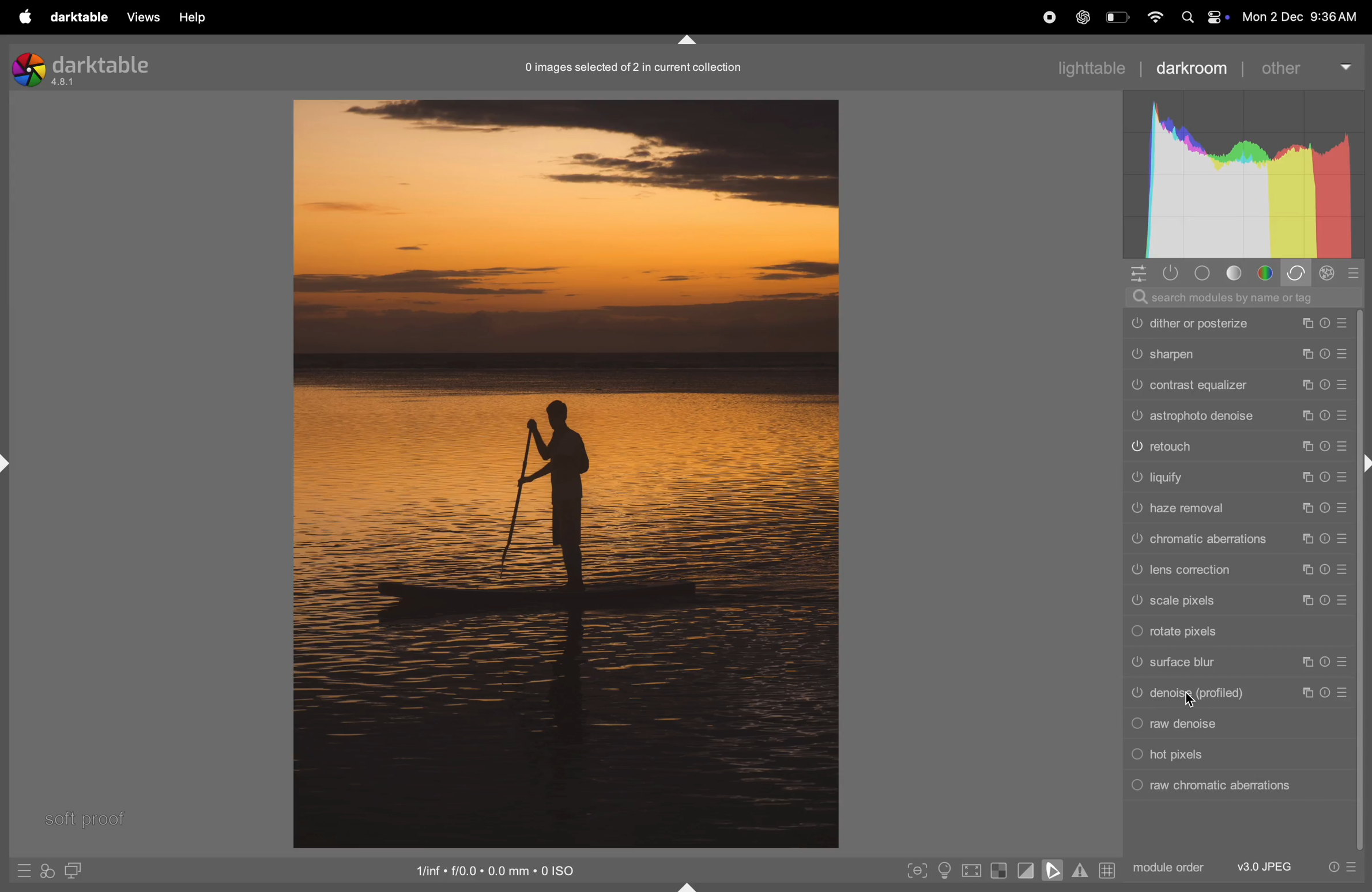 The image size is (1372, 892). Describe the element at coordinates (1238, 509) in the screenshot. I see `hazel removal` at that location.